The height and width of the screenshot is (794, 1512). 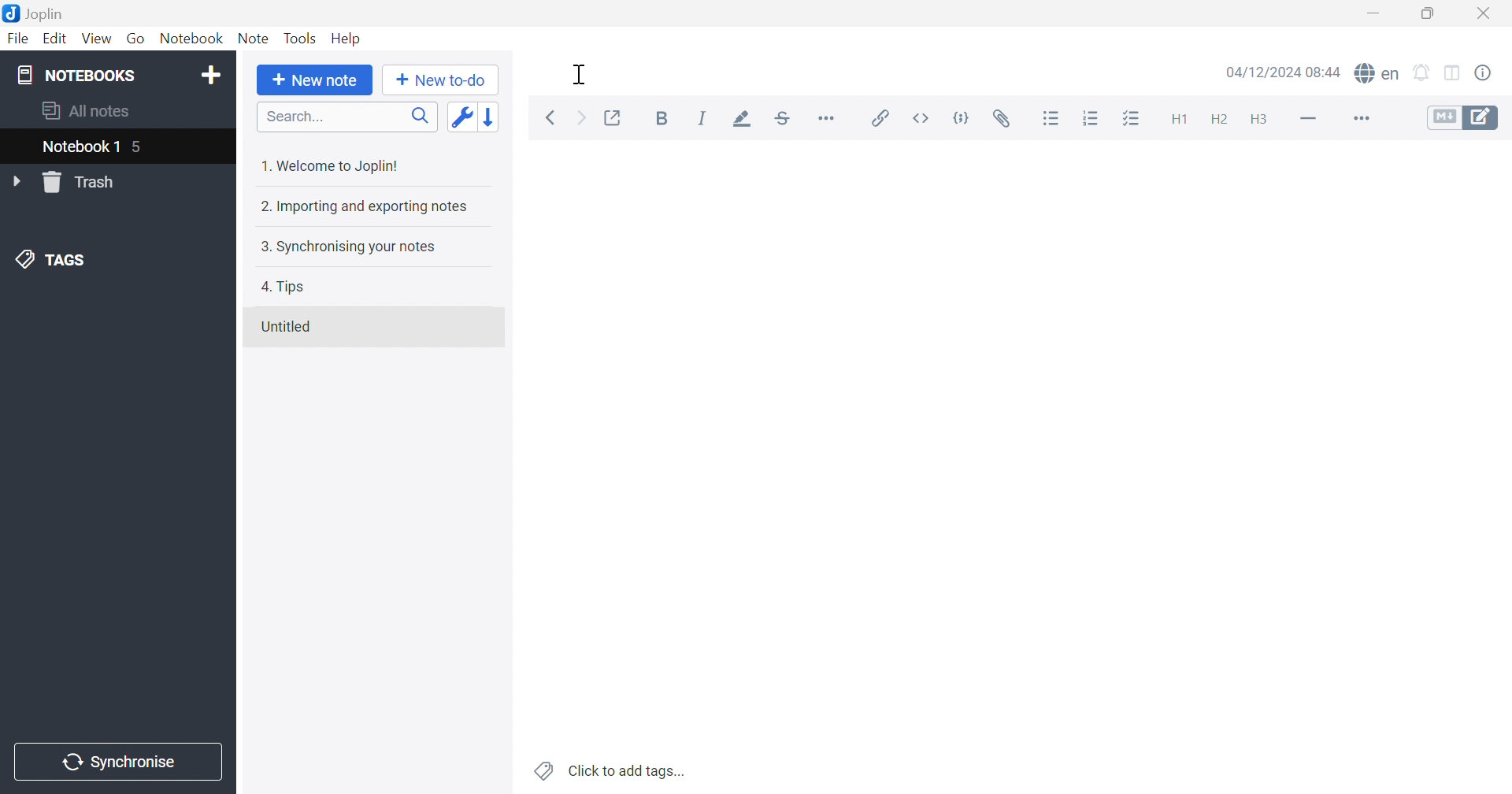 I want to click on Minimize, so click(x=1377, y=13).